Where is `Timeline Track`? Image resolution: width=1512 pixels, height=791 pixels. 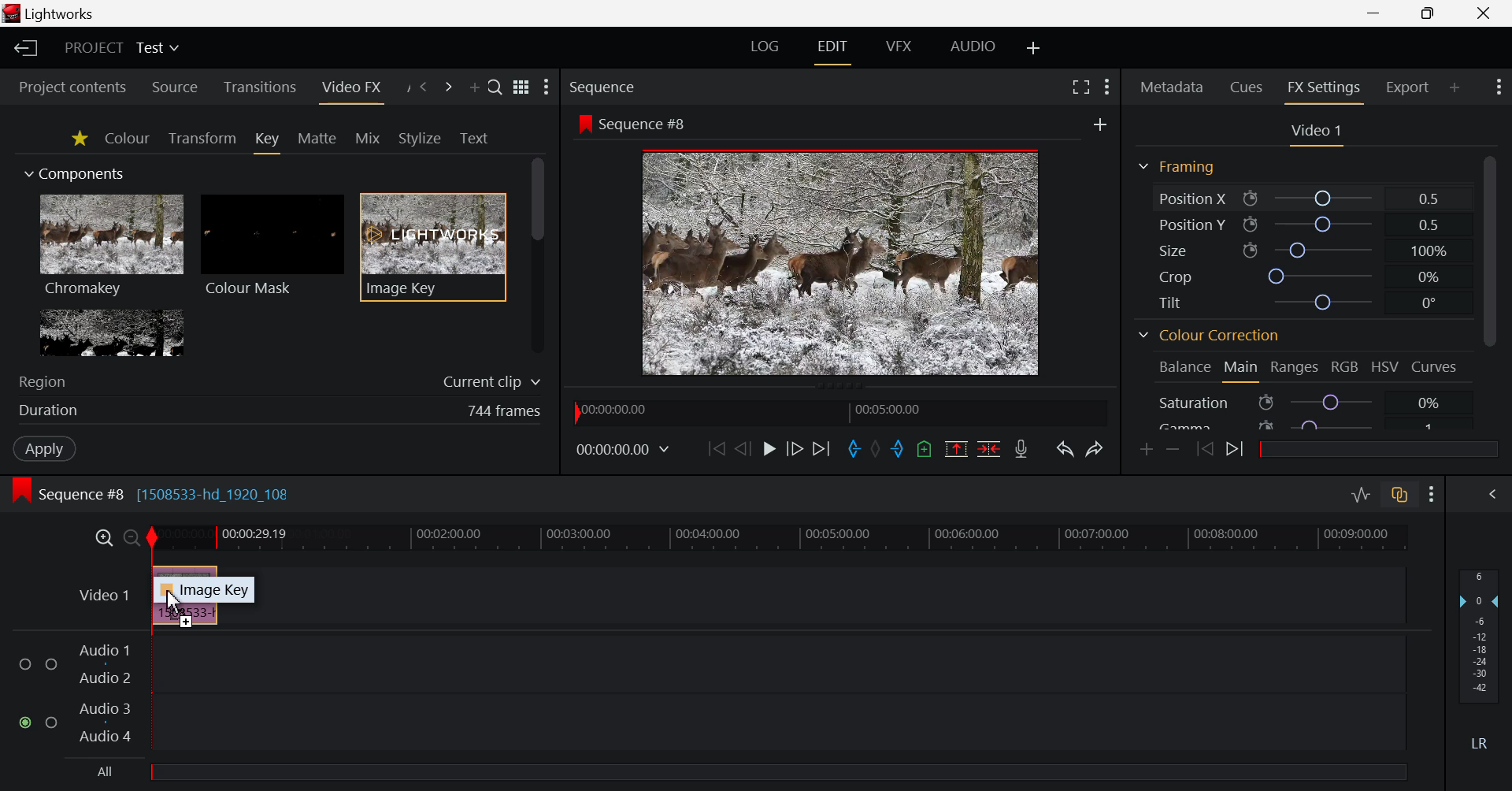
Timeline Track is located at coordinates (776, 537).